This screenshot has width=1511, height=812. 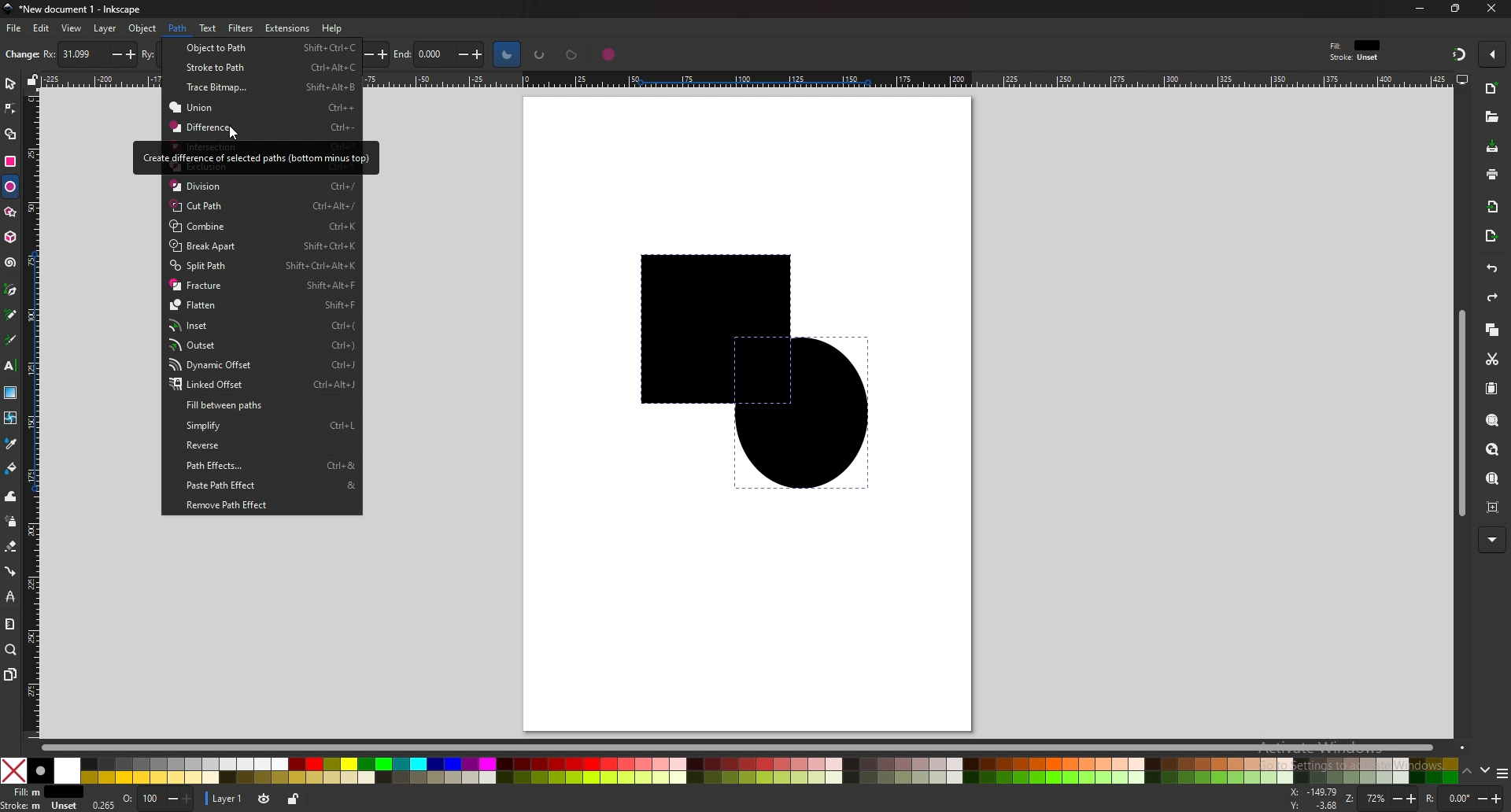 I want to click on scroll bar, so click(x=743, y=746).